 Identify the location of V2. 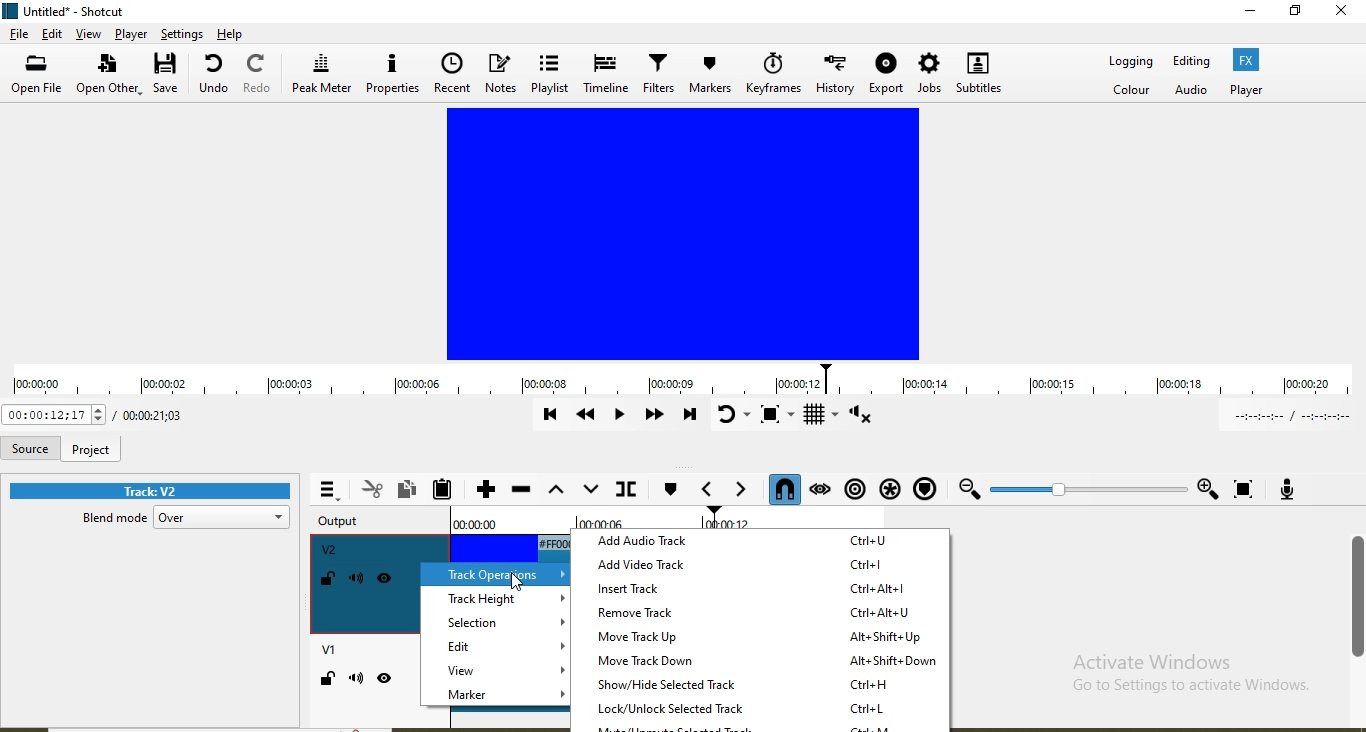
(330, 550).